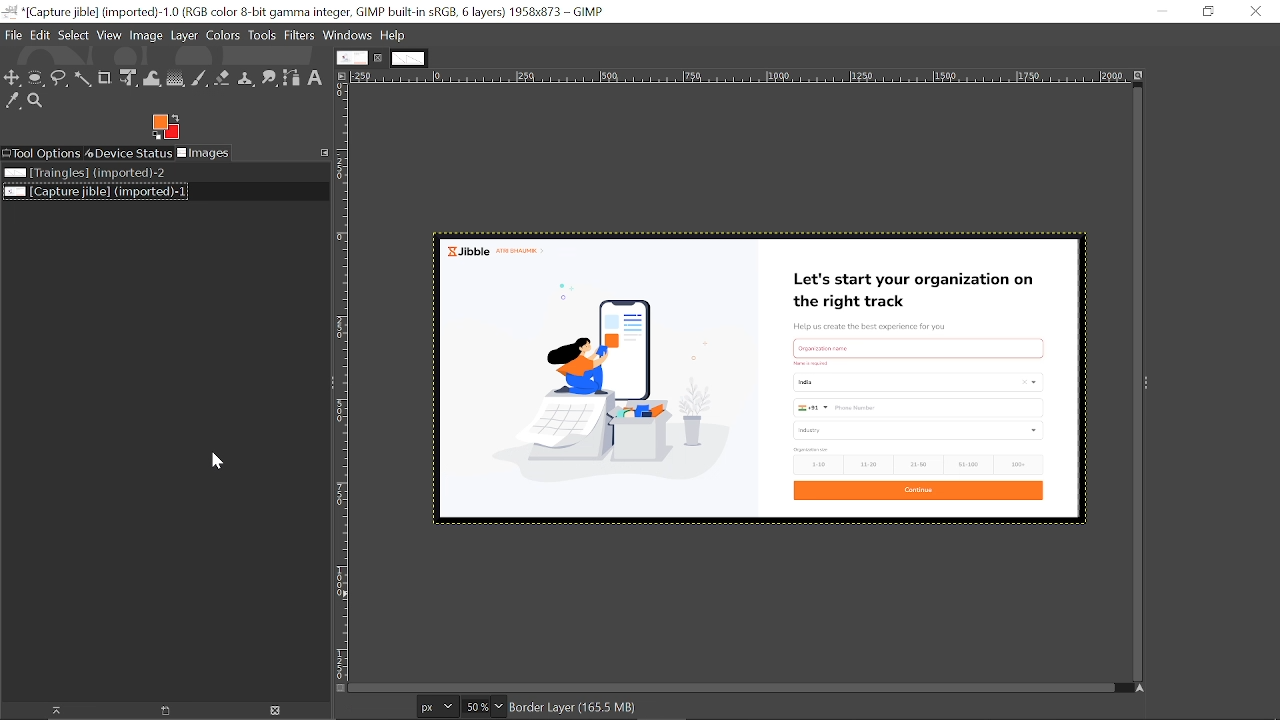  I want to click on Tools, so click(262, 35).